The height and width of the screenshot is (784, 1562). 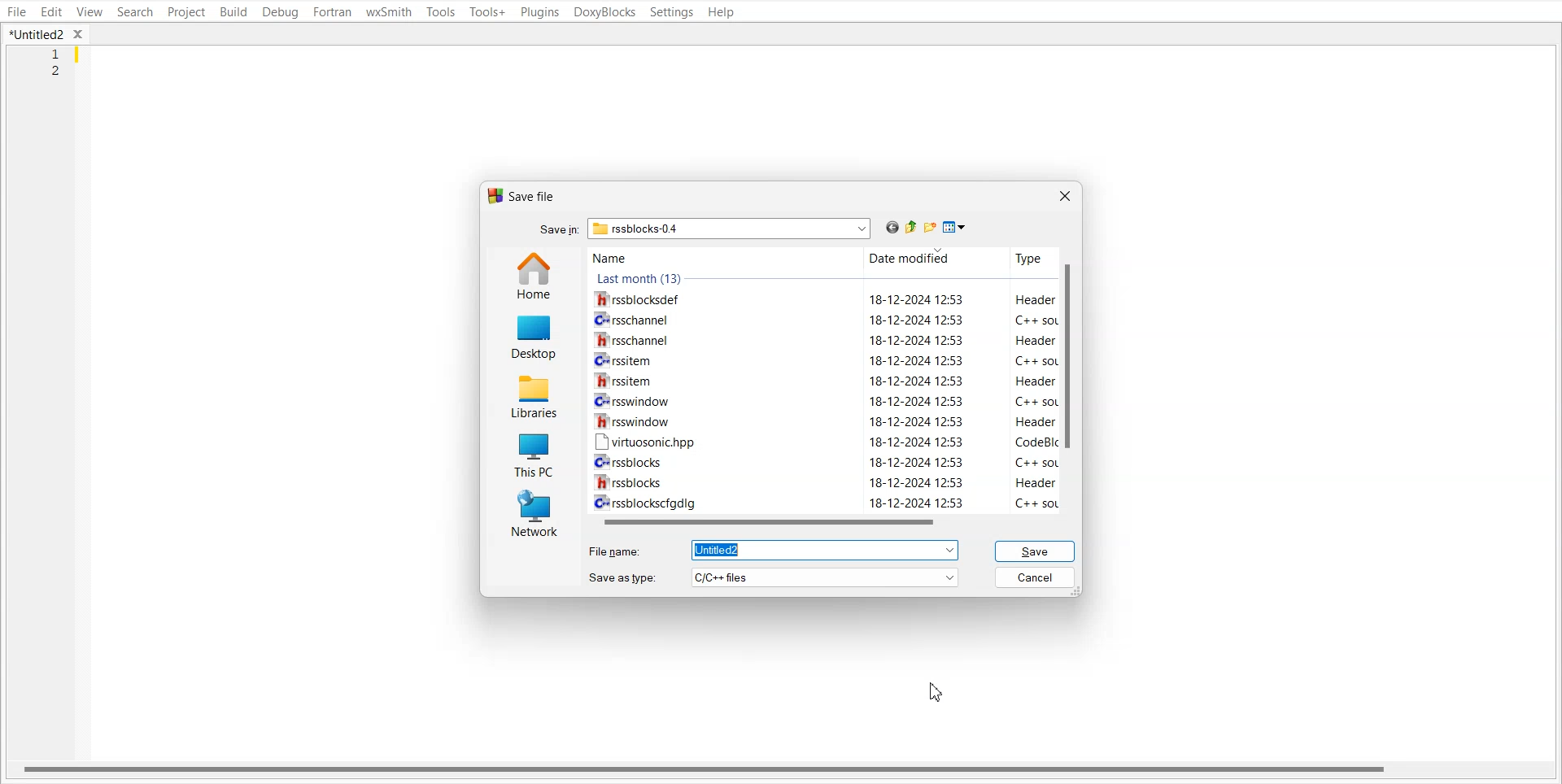 I want to click on Network, so click(x=535, y=514).